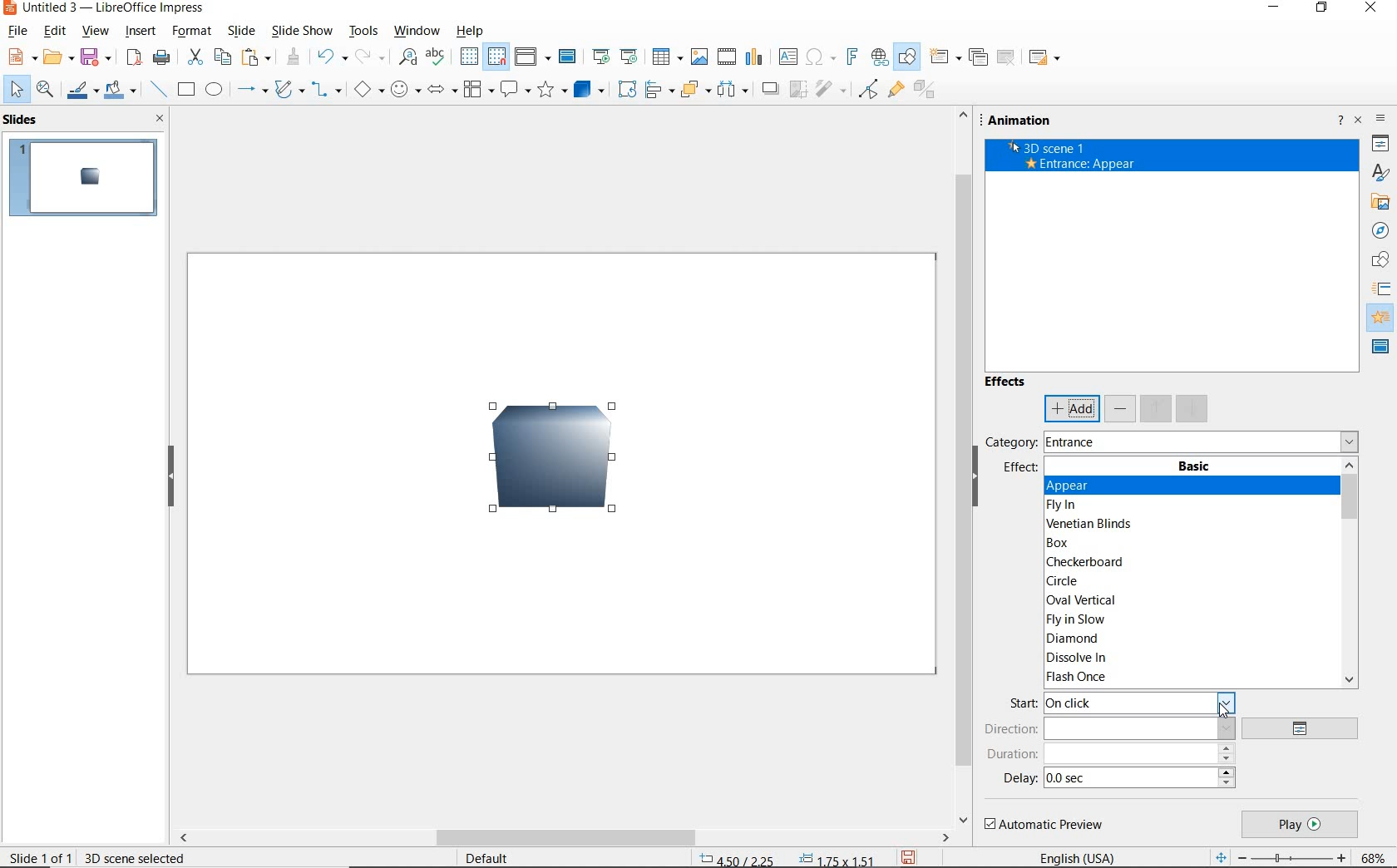 The width and height of the screenshot is (1397, 868). I want to click on scrollbar, so click(564, 839).